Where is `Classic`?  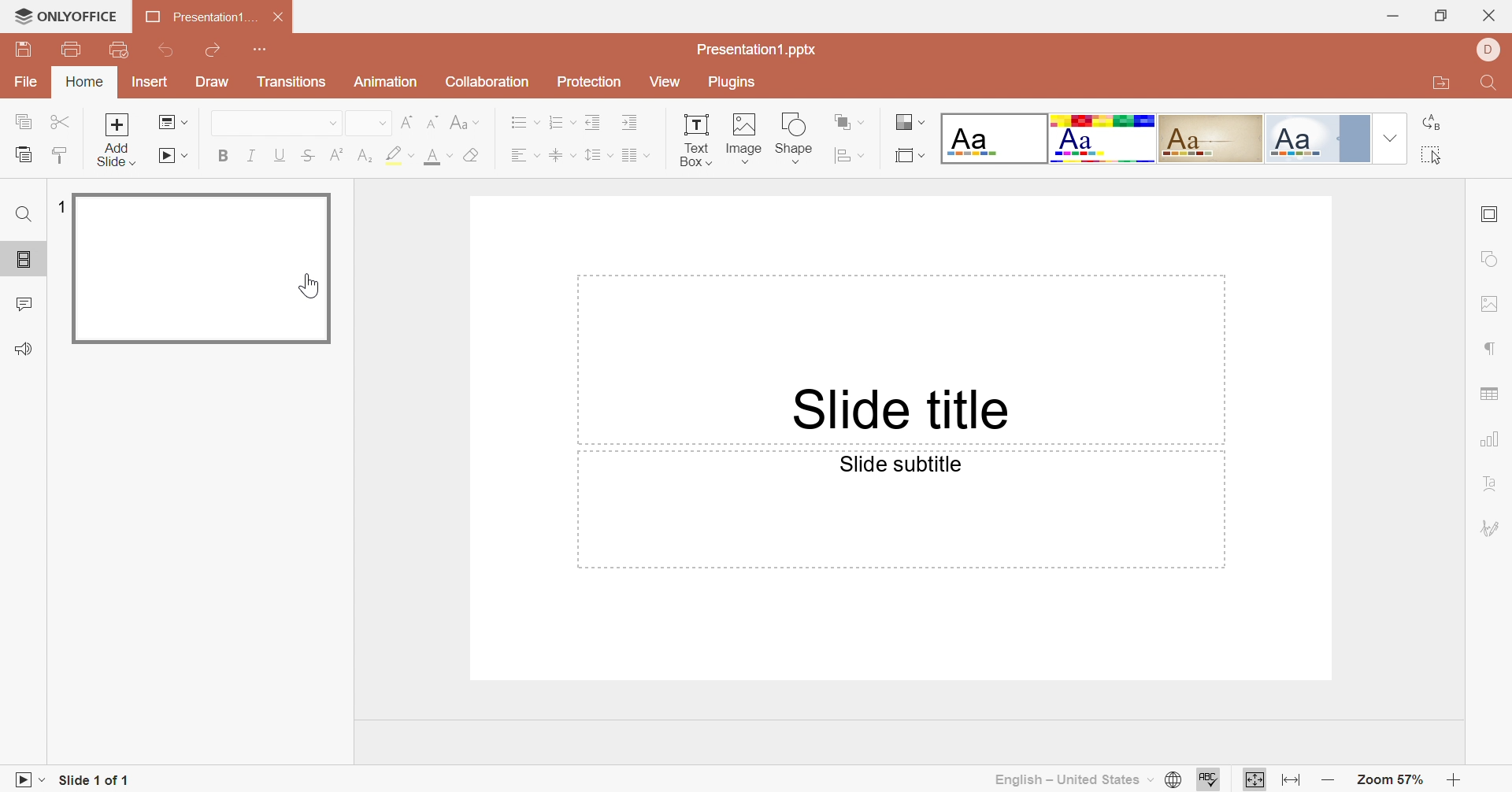 Classic is located at coordinates (1210, 139).